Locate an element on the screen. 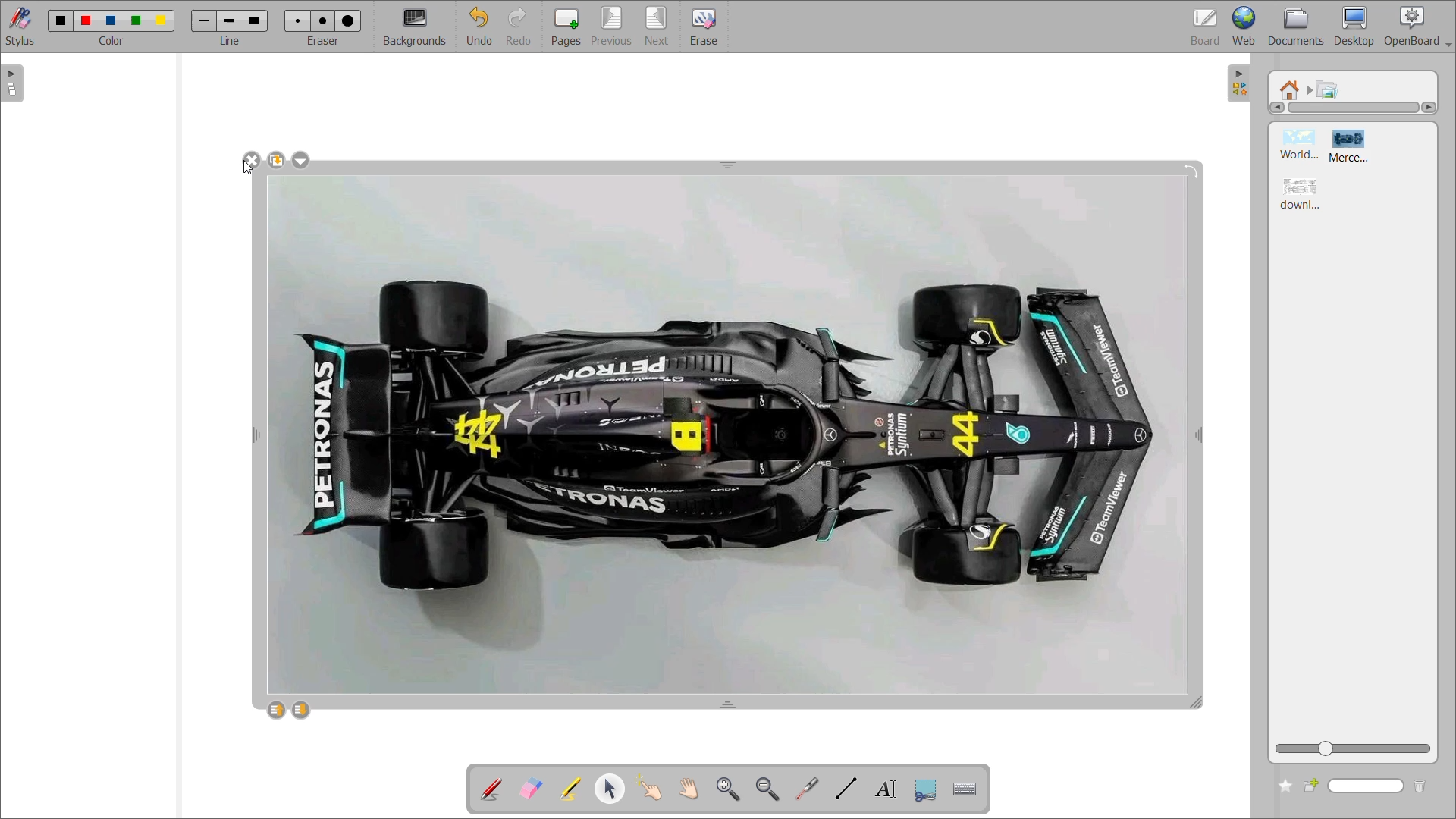 The image size is (1456, 819). erase is located at coordinates (705, 27).